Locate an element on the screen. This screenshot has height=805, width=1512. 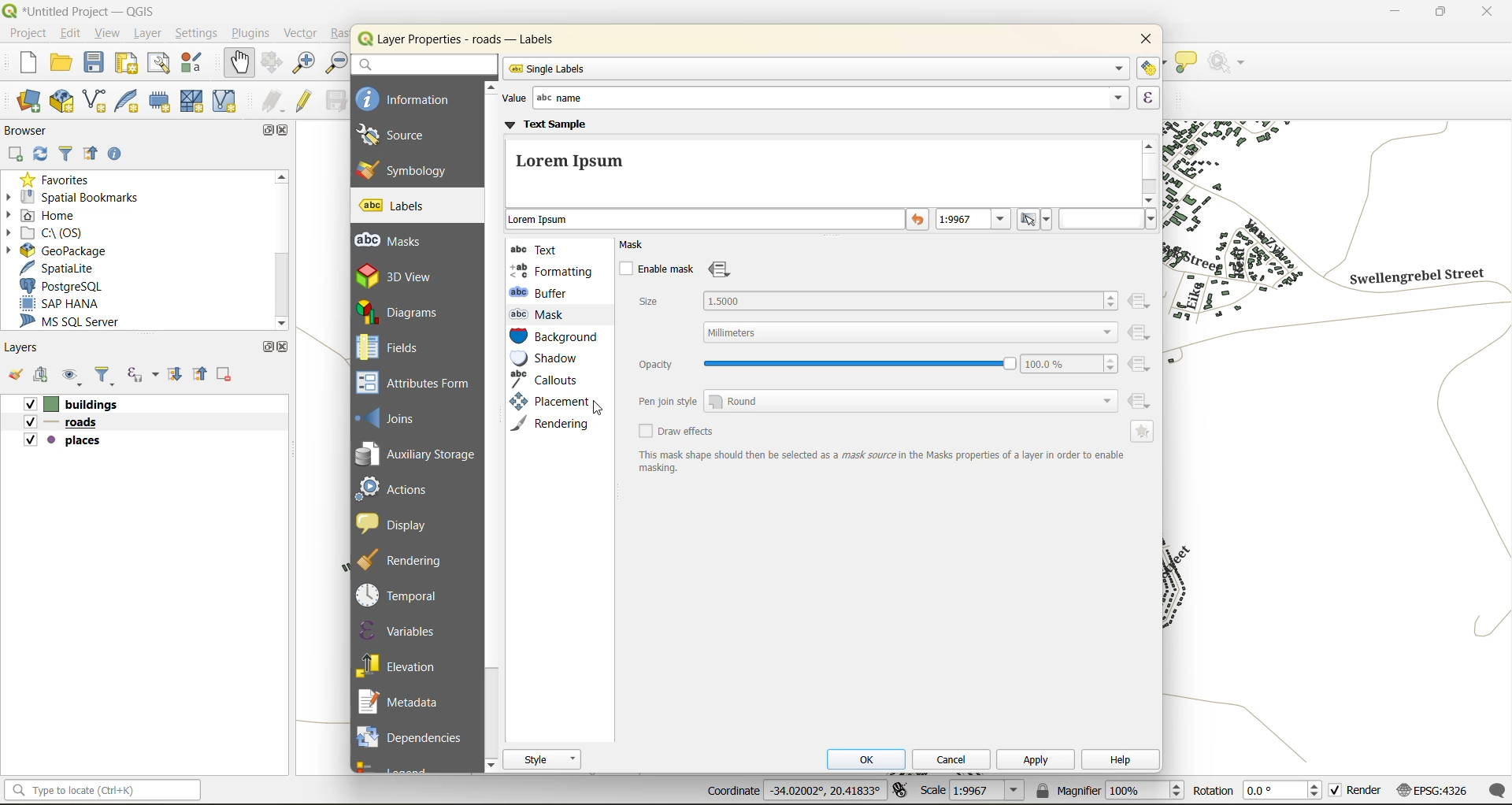
metadata is located at coordinates (880, 462).